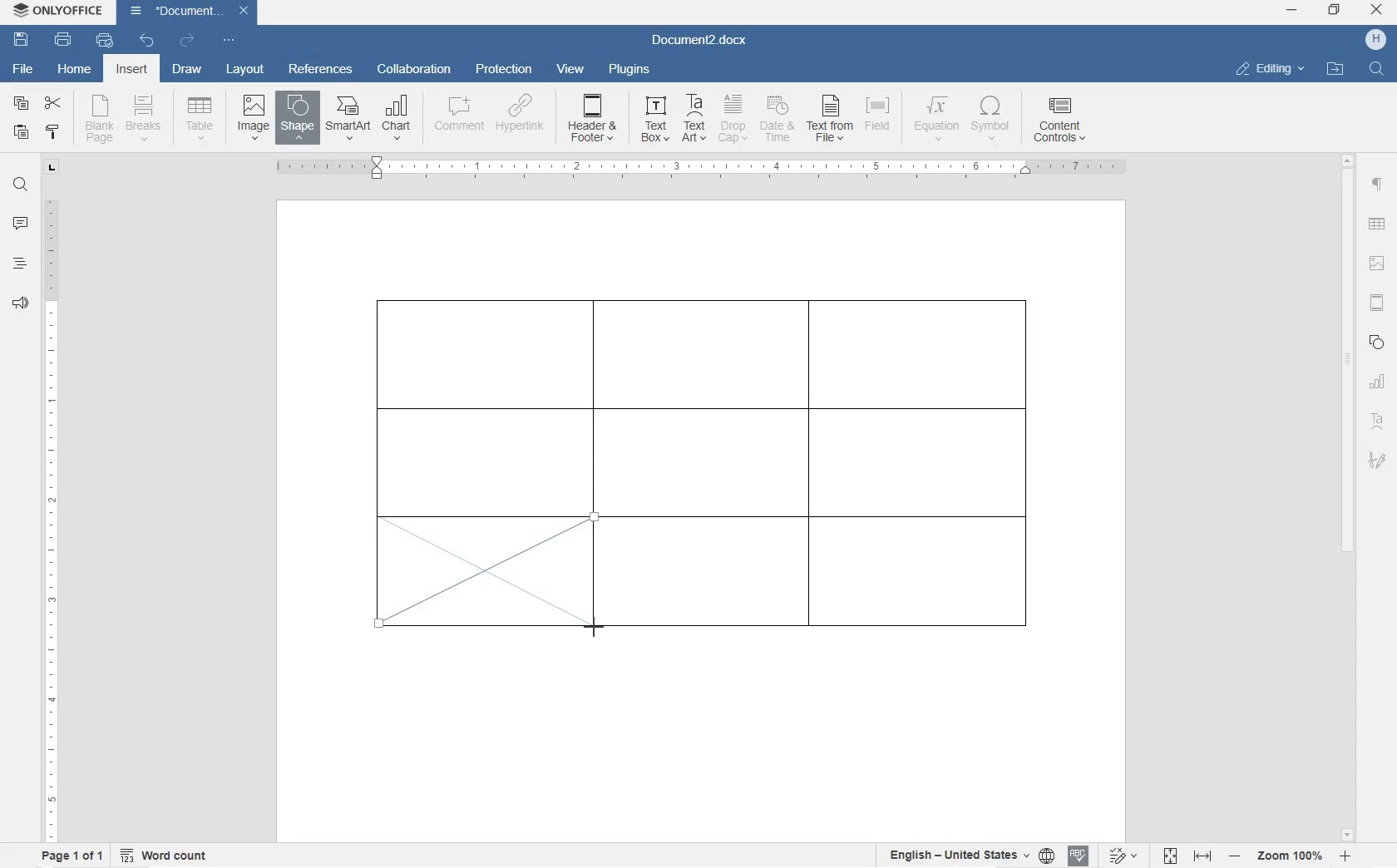  What do you see at coordinates (20, 264) in the screenshot?
I see `headings` at bounding box center [20, 264].